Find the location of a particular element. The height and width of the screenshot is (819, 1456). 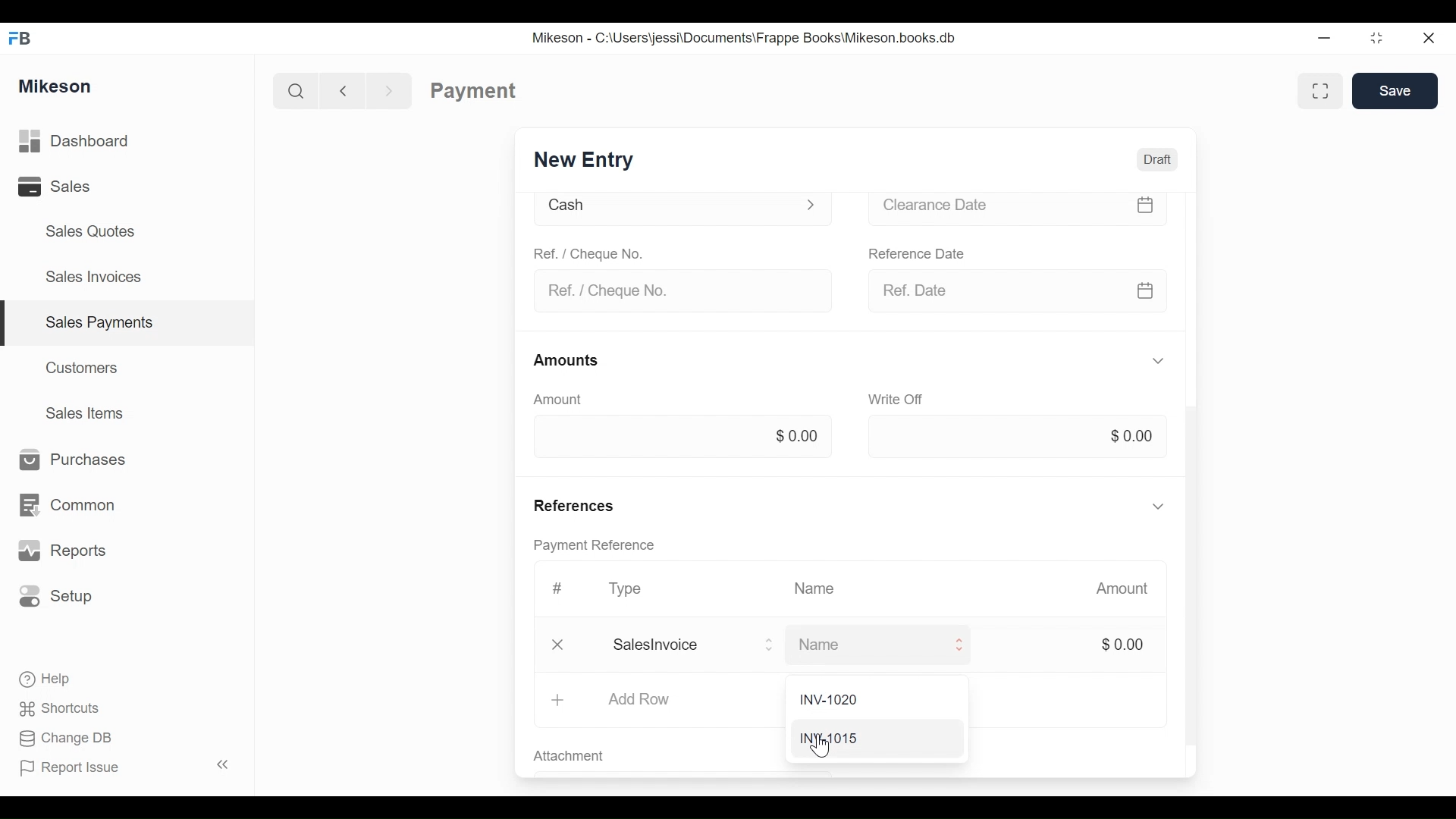

$0.00 is located at coordinates (799, 438).